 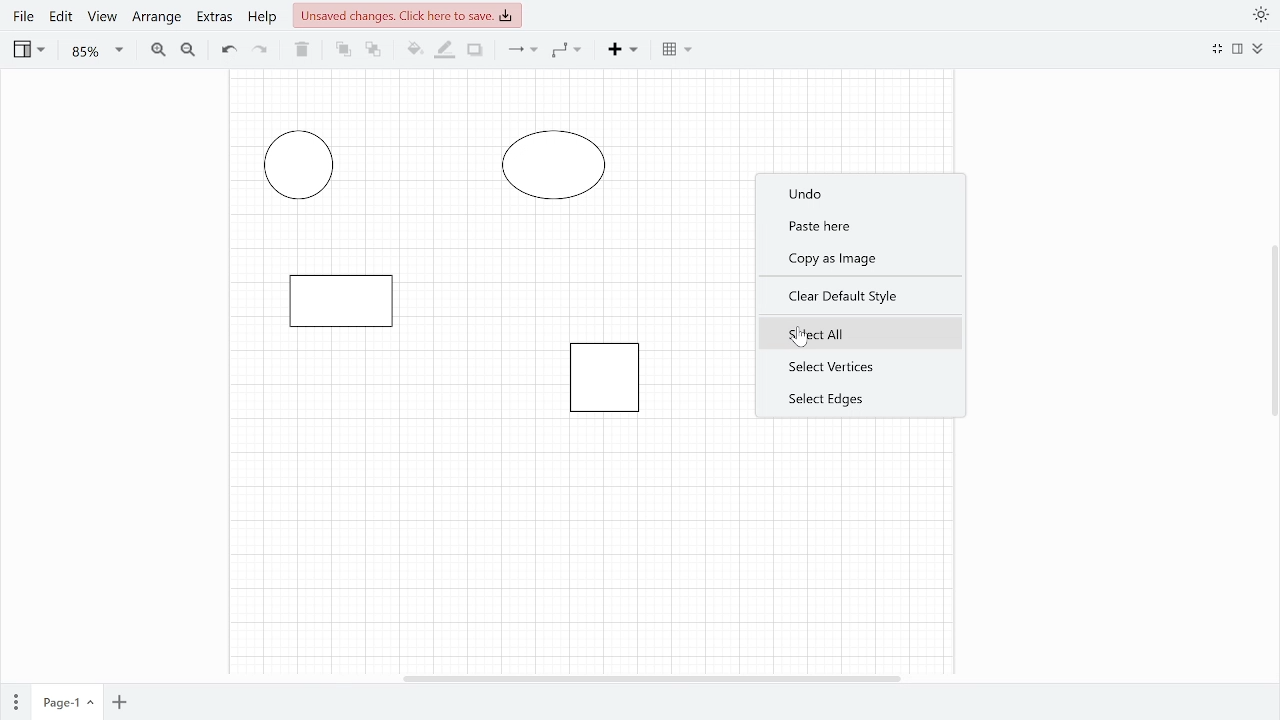 What do you see at coordinates (1259, 15) in the screenshot?
I see `Appearance` at bounding box center [1259, 15].